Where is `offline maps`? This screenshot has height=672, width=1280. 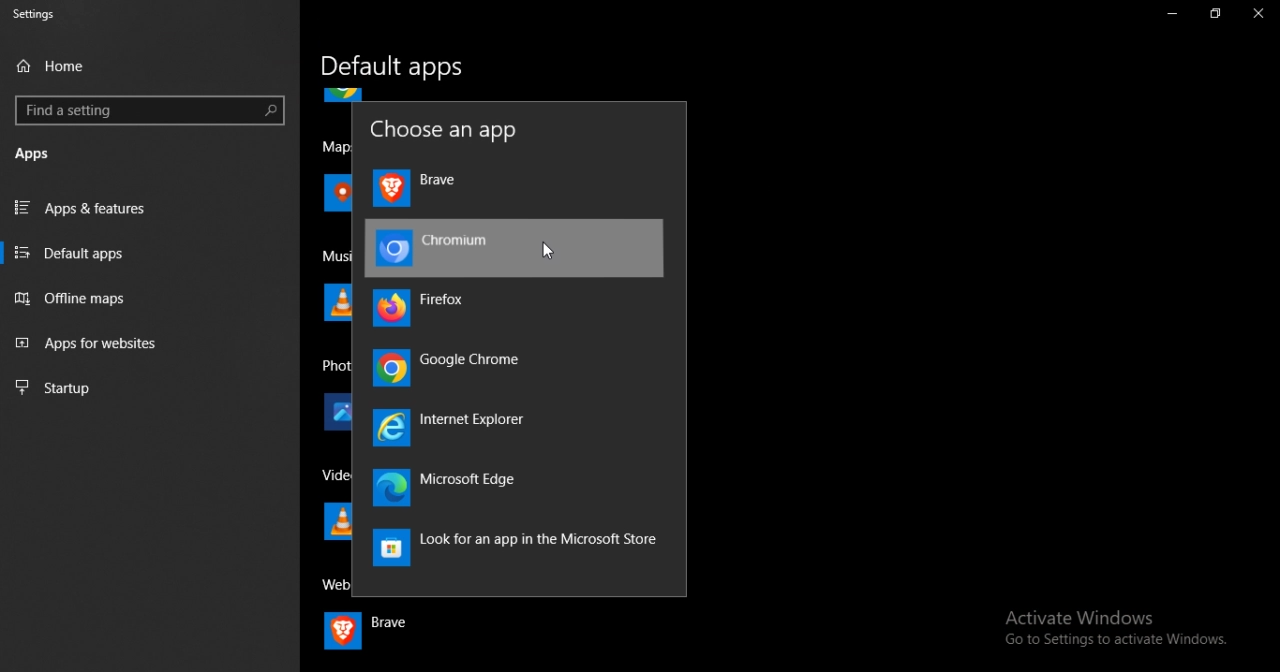
offline maps is located at coordinates (150, 298).